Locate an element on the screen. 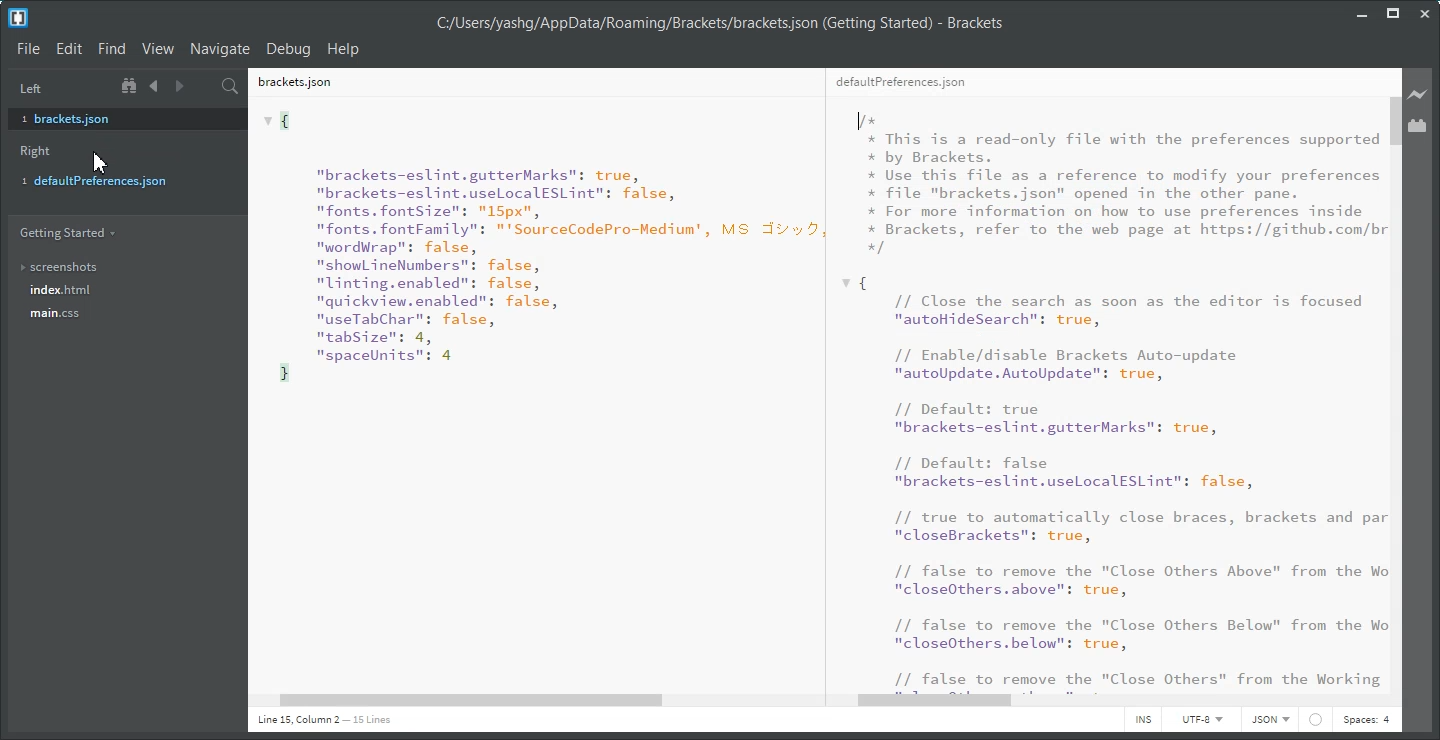 The image size is (1440, 740). Screenshots is located at coordinates (121, 267).